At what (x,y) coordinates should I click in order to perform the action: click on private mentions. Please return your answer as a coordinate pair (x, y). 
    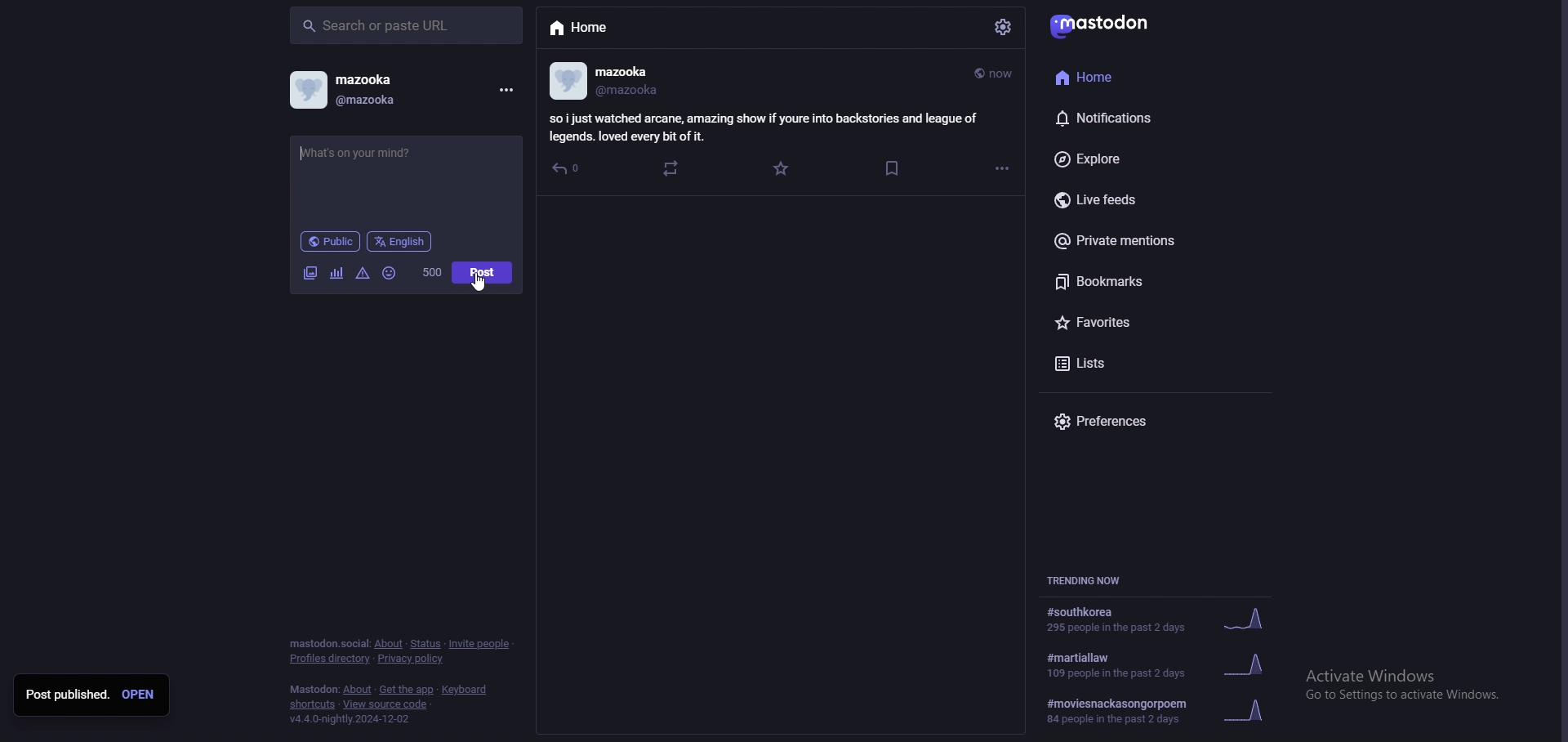
    Looking at the image, I should click on (1141, 240).